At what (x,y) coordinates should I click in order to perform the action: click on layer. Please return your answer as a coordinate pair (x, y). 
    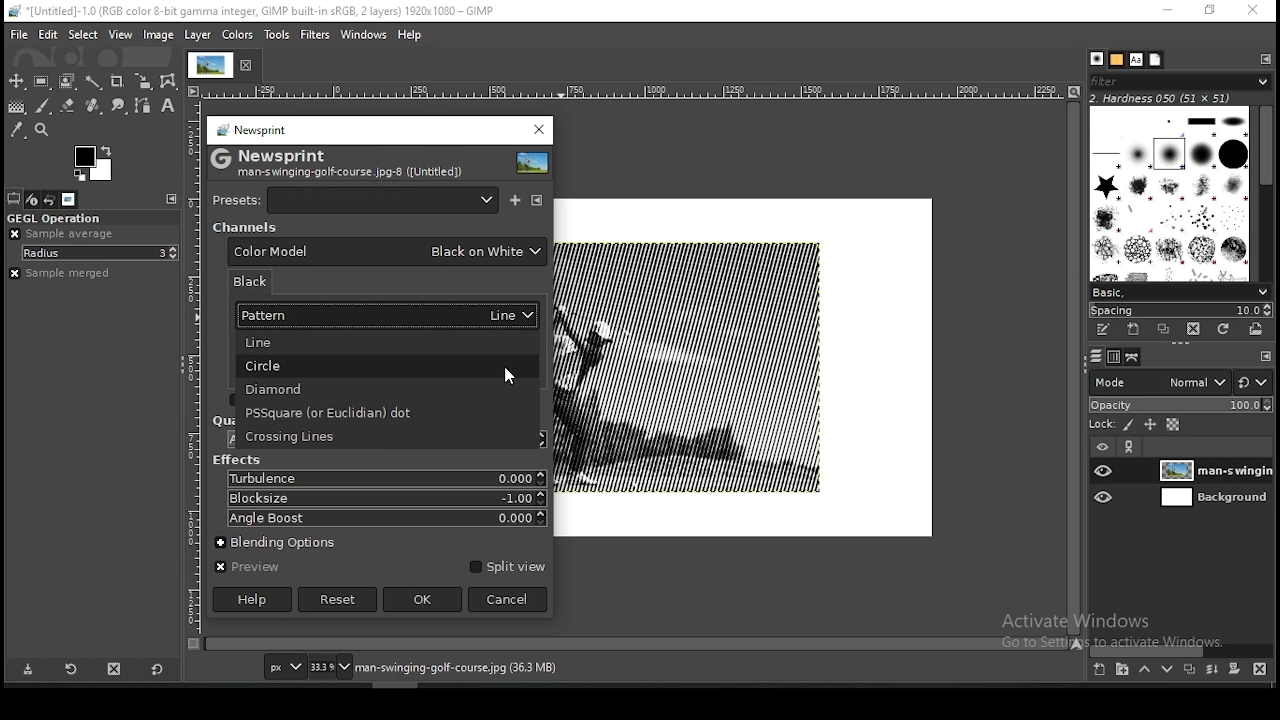
    Looking at the image, I should click on (1212, 498).